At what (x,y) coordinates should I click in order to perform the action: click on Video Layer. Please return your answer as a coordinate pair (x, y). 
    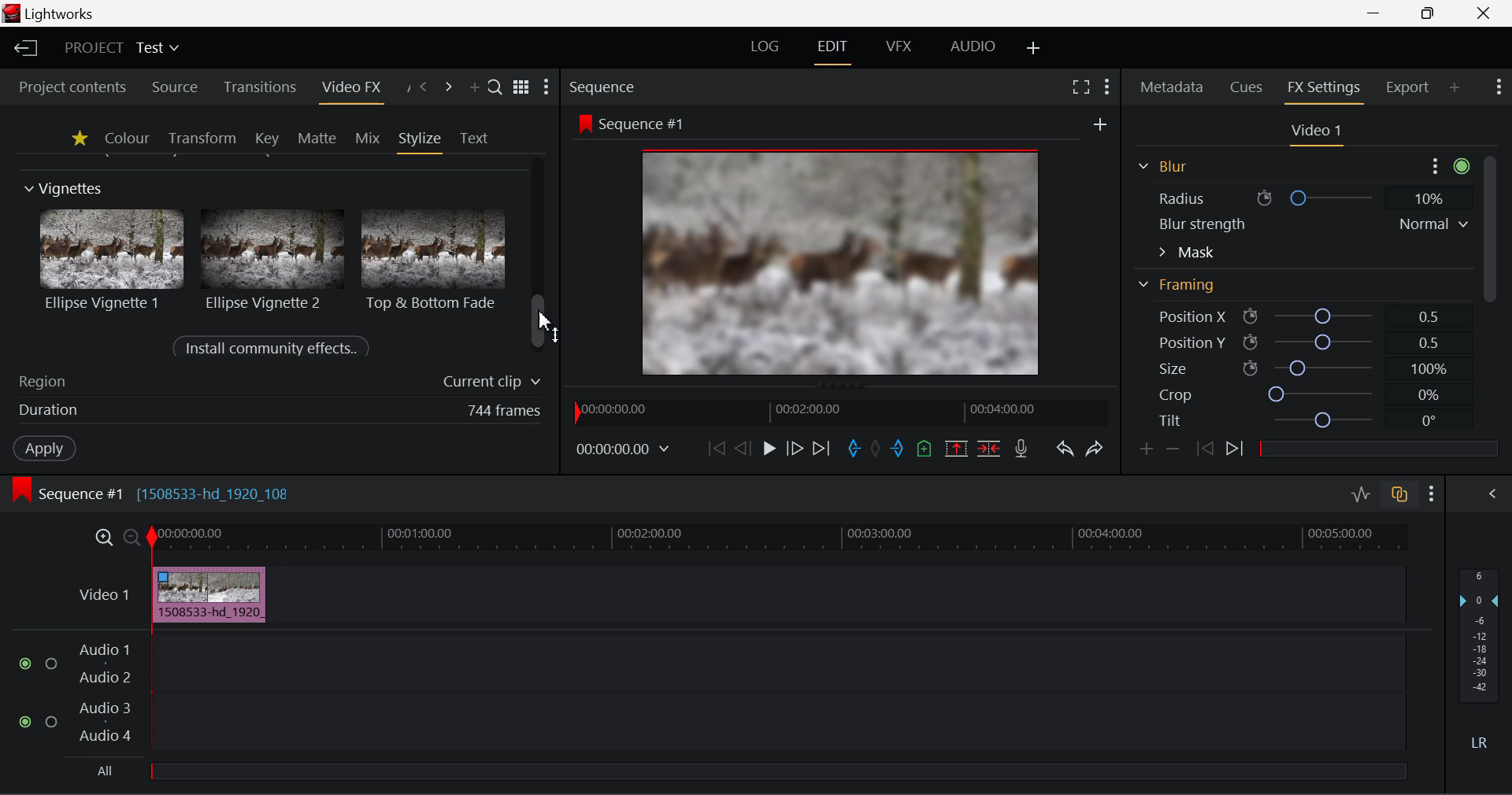
    Looking at the image, I should click on (101, 593).